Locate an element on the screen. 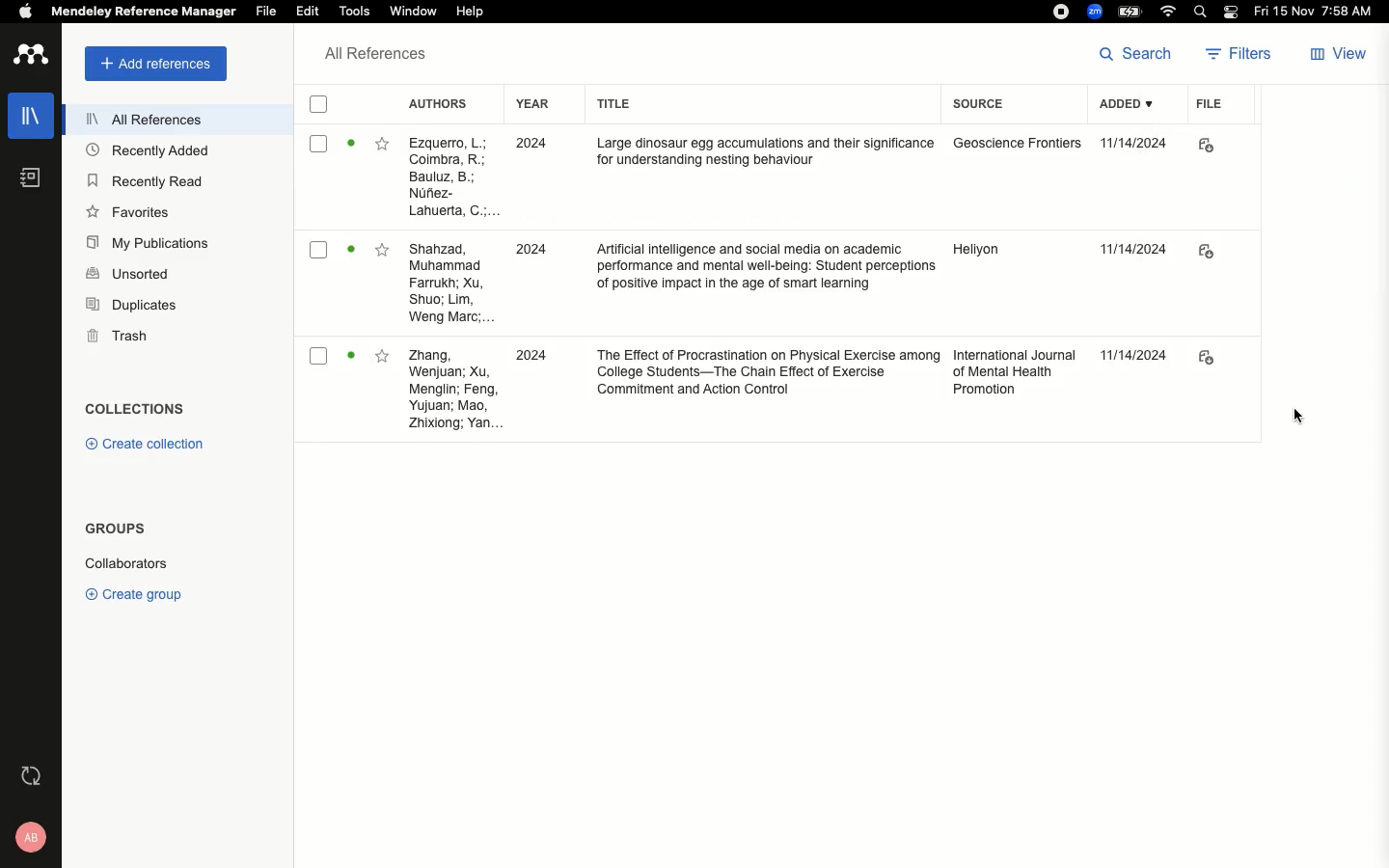  Edit is located at coordinates (307, 13).